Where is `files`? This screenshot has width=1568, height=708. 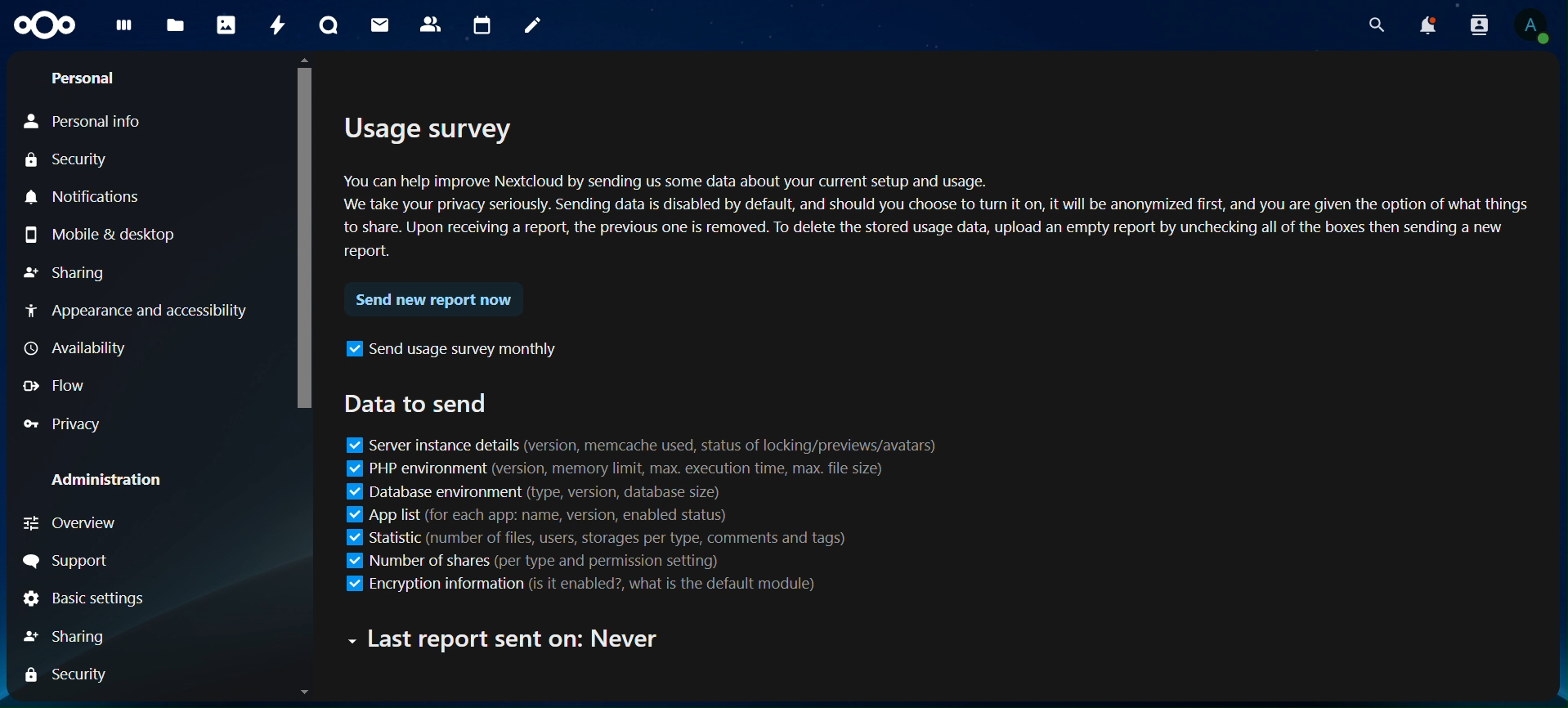
files is located at coordinates (177, 23).